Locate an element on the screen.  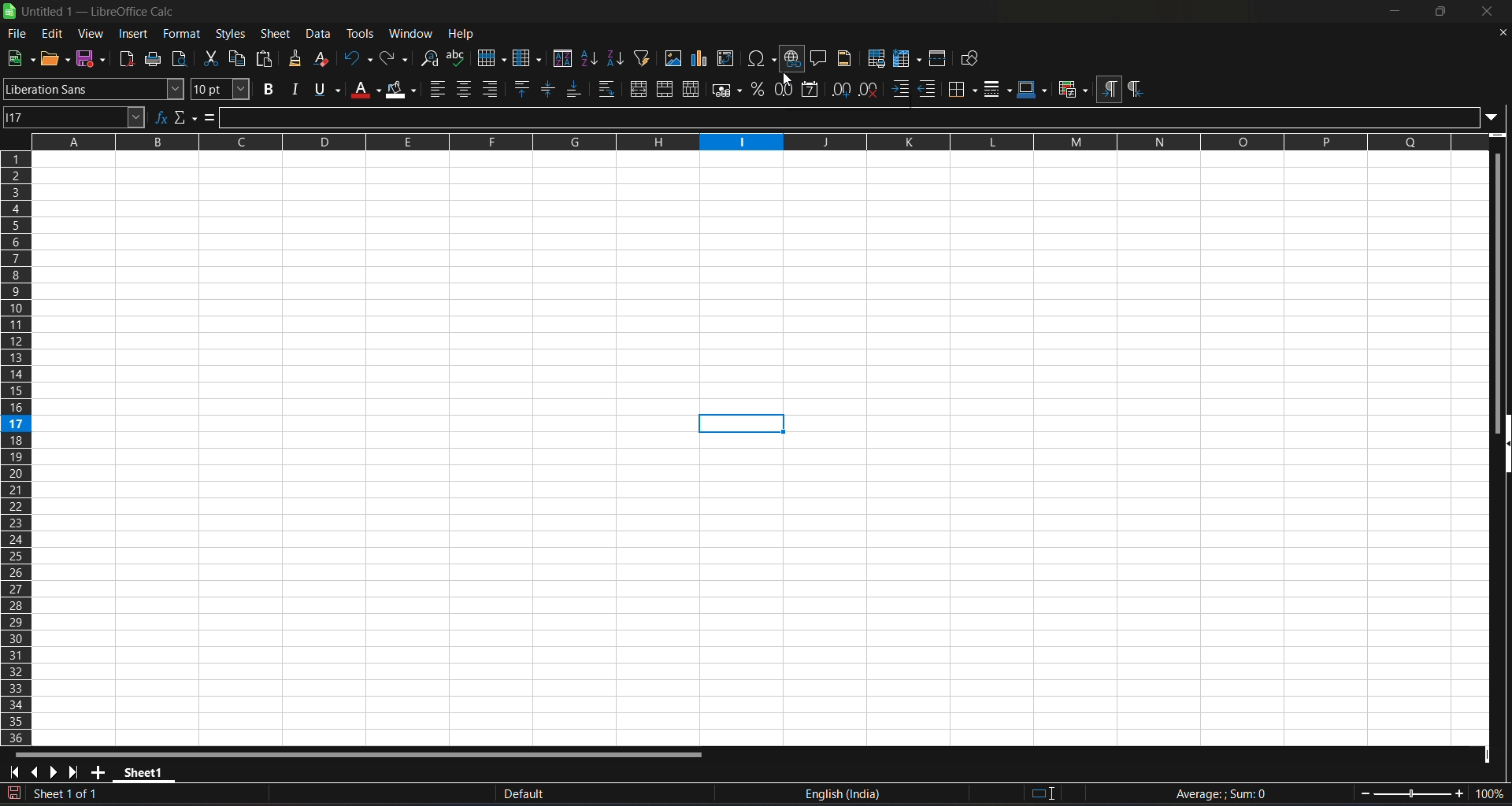
scroll to last sheet  is located at coordinates (73, 773).